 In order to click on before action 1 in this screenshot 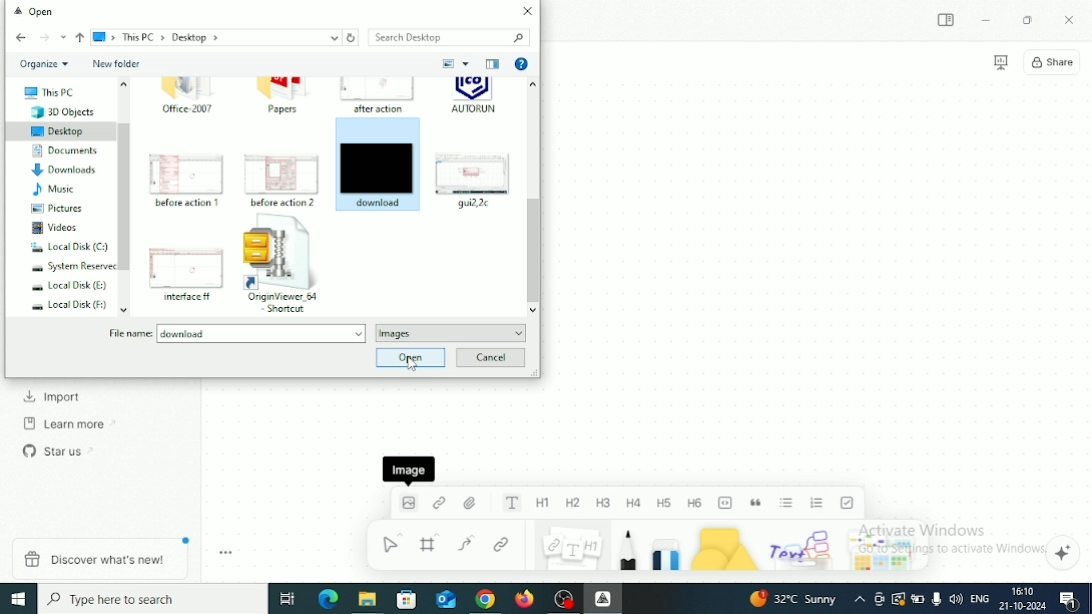, I will do `click(188, 180)`.